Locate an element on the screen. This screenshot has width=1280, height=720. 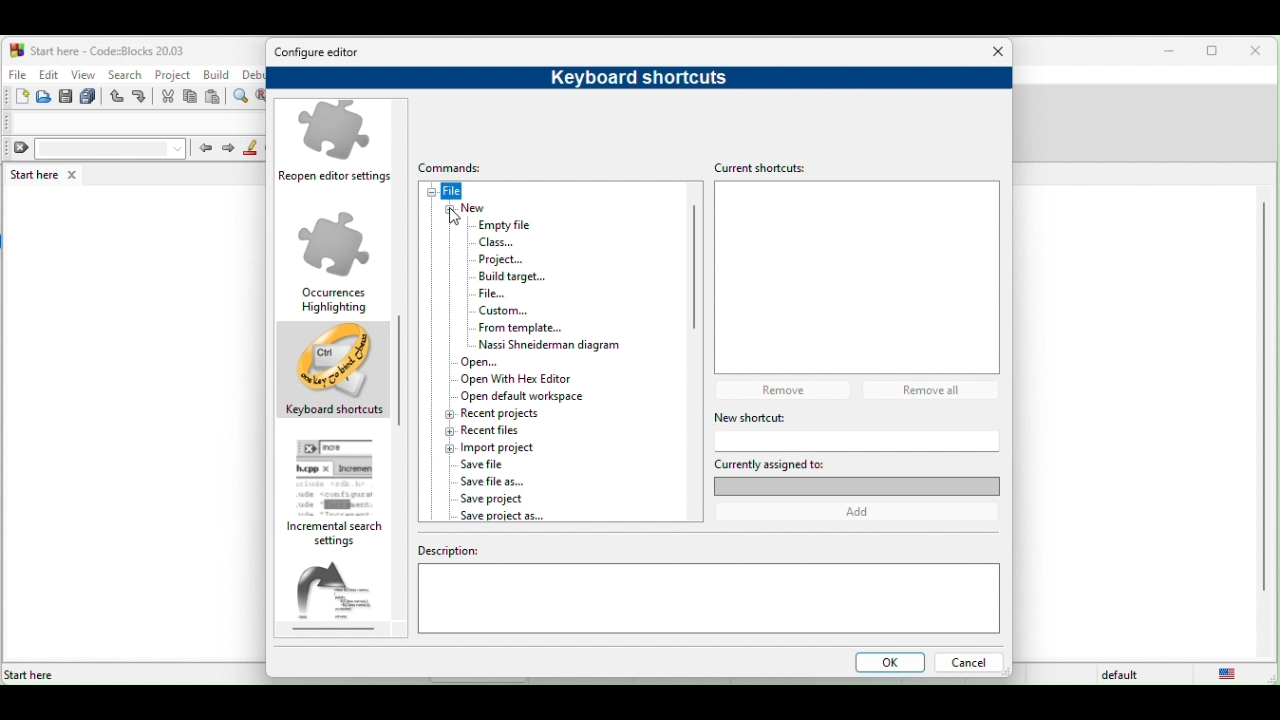
clear is located at coordinates (96, 149).